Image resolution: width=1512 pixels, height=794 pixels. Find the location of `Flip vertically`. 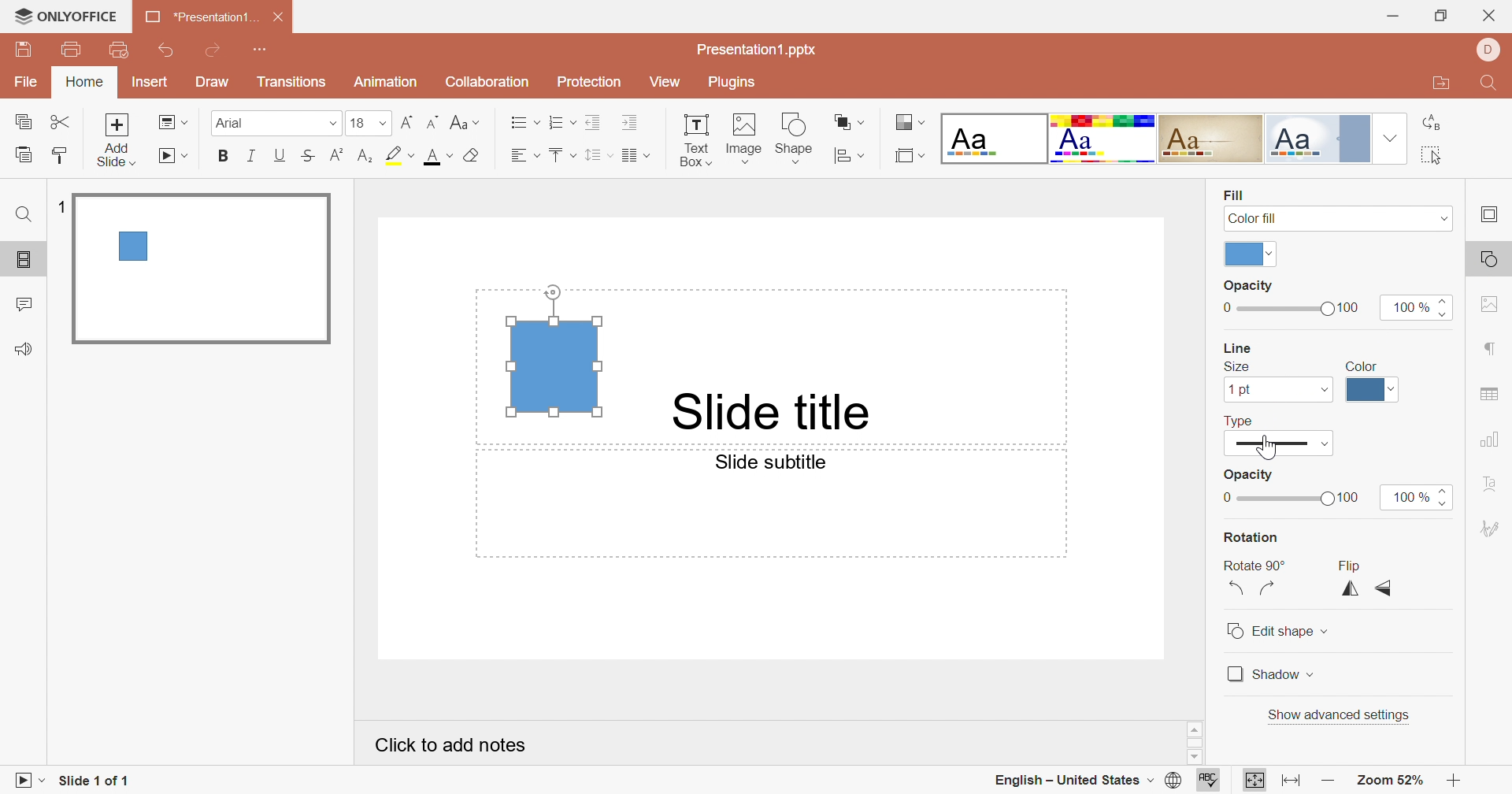

Flip vertically is located at coordinates (1384, 588).